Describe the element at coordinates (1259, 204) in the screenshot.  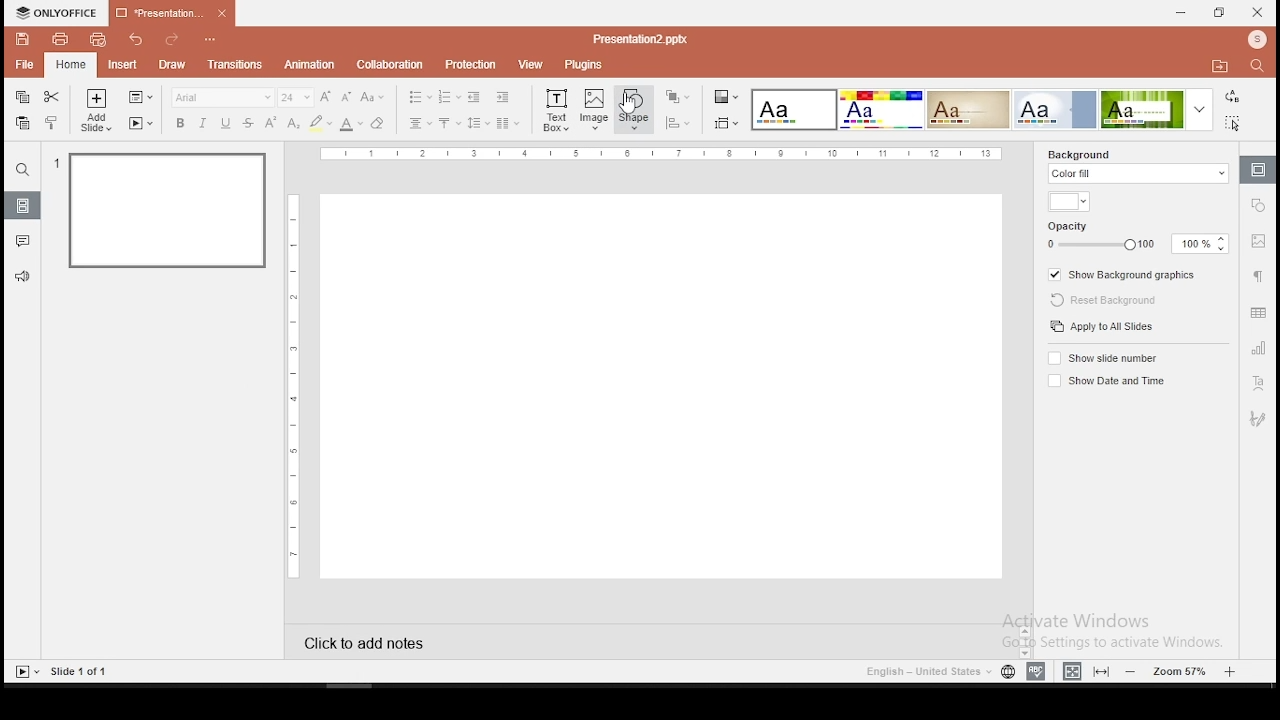
I see `shape settings` at that location.